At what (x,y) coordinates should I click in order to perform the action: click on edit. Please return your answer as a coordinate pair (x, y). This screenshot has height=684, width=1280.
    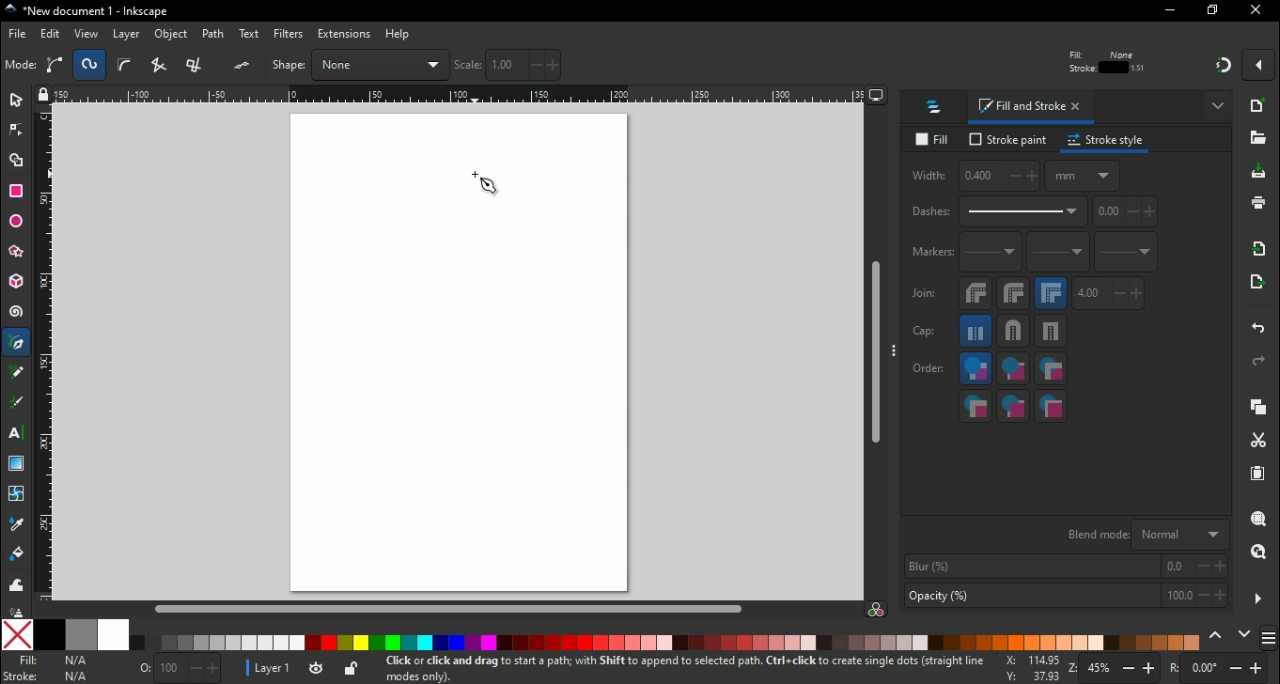
    Looking at the image, I should click on (50, 35).